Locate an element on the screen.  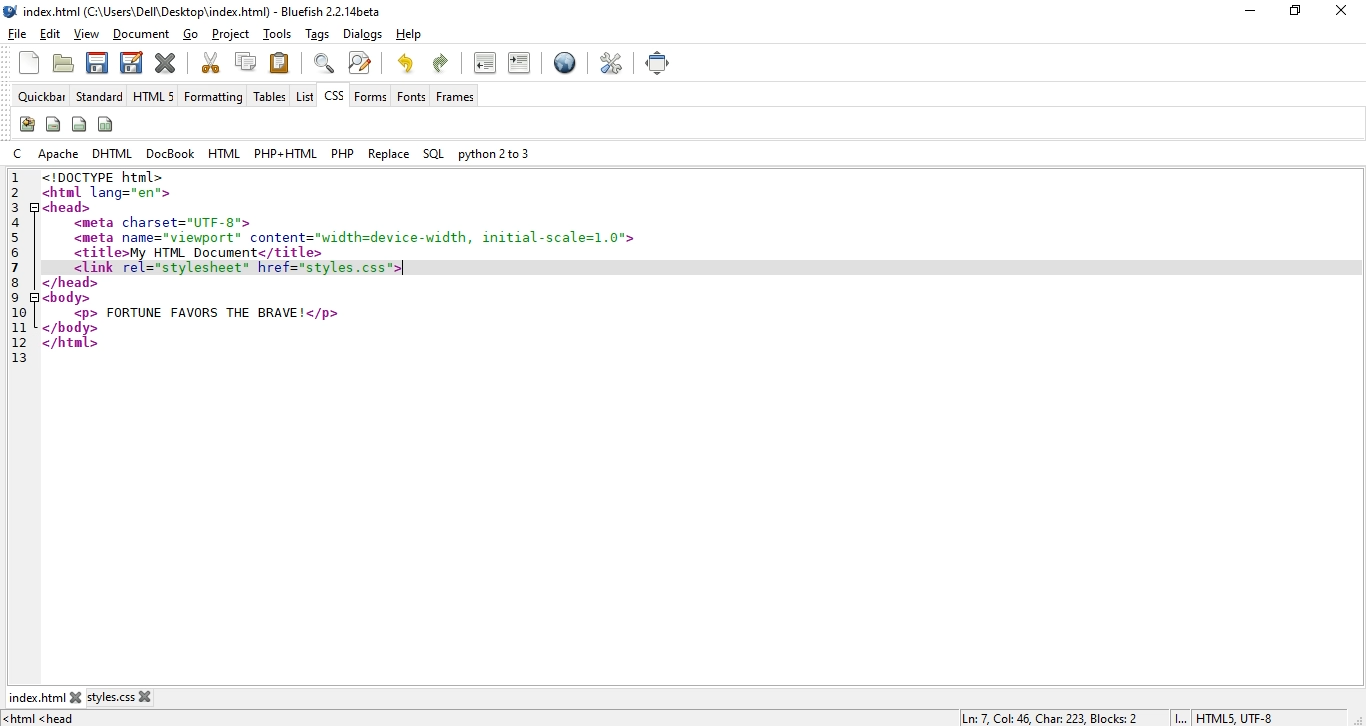
save file as is located at coordinates (130, 61).